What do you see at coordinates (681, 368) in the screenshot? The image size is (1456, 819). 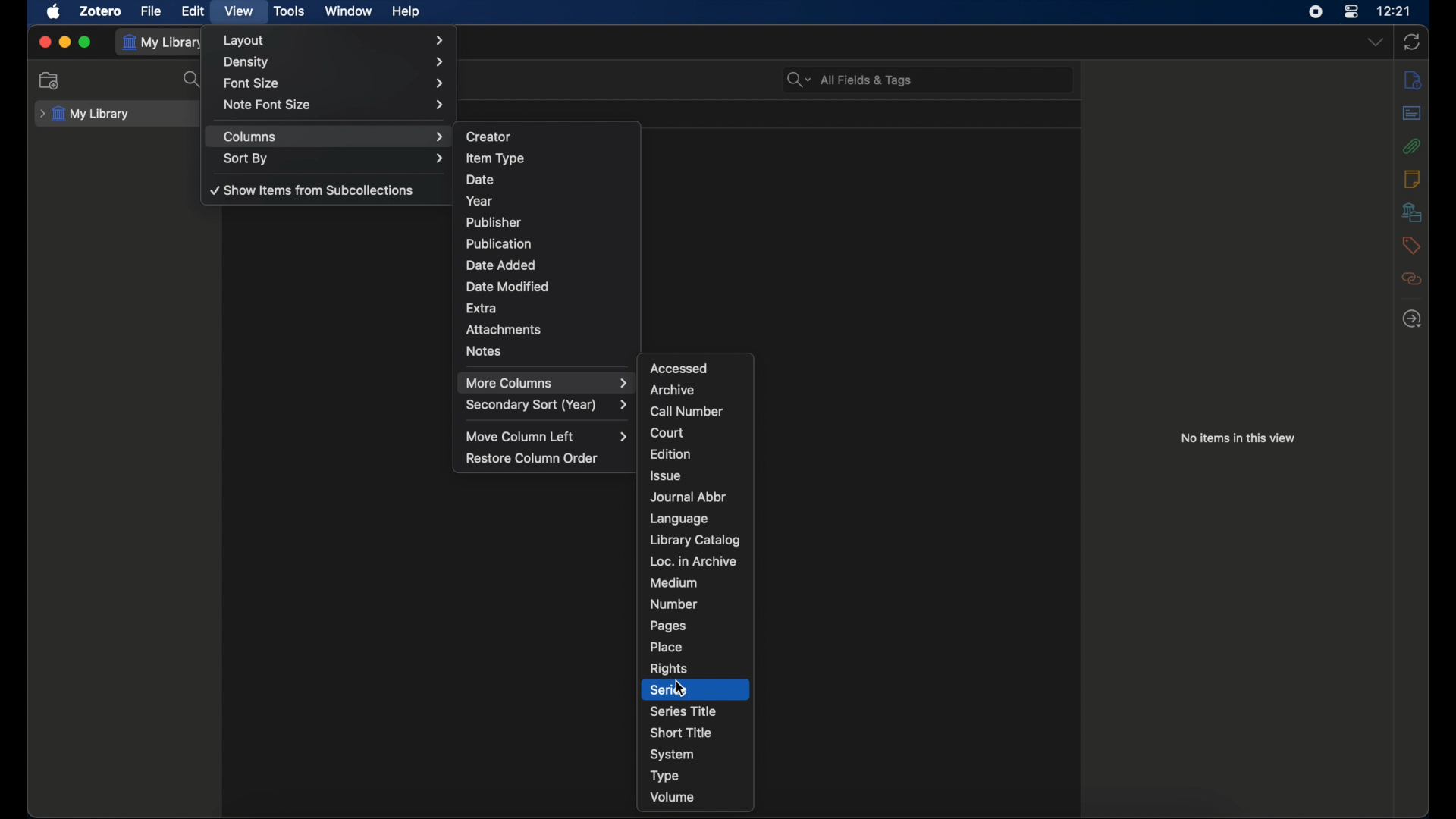 I see `accessed` at bounding box center [681, 368].